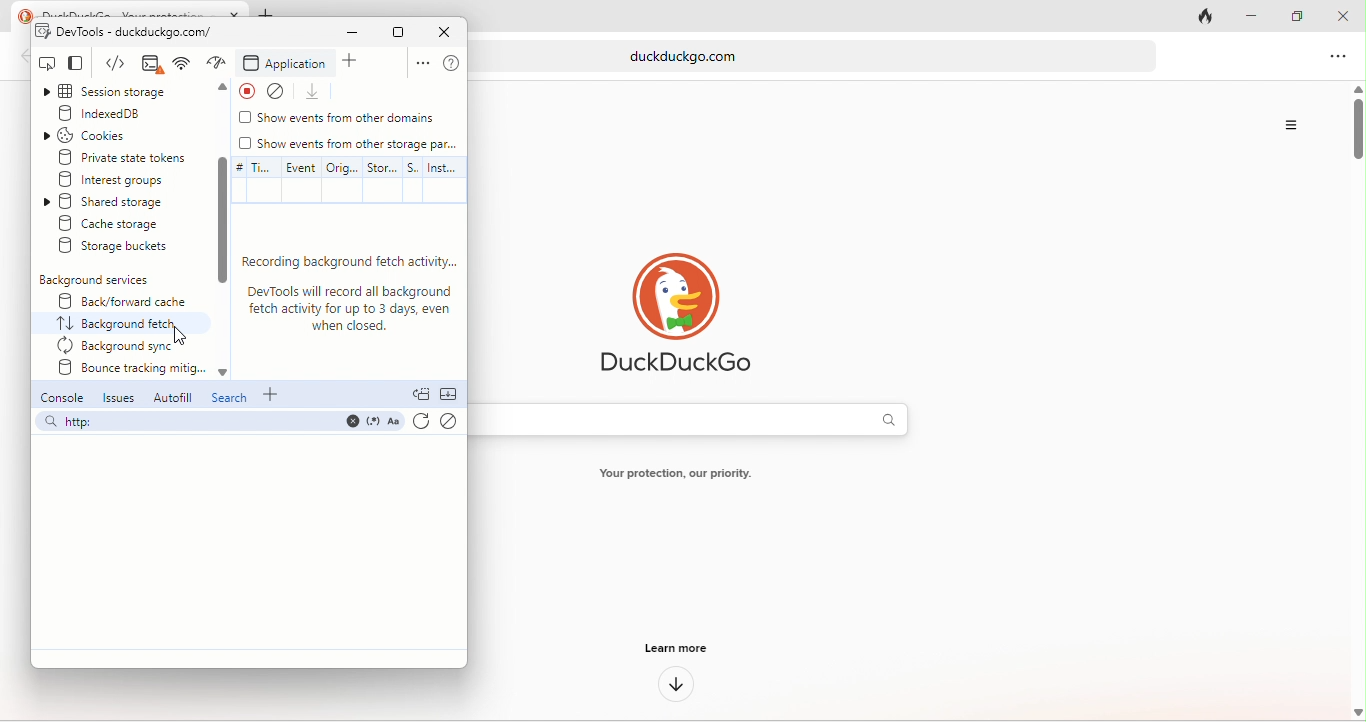  What do you see at coordinates (700, 419) in the screenshot?
I see `search bar` at bounding box center [700, 419].